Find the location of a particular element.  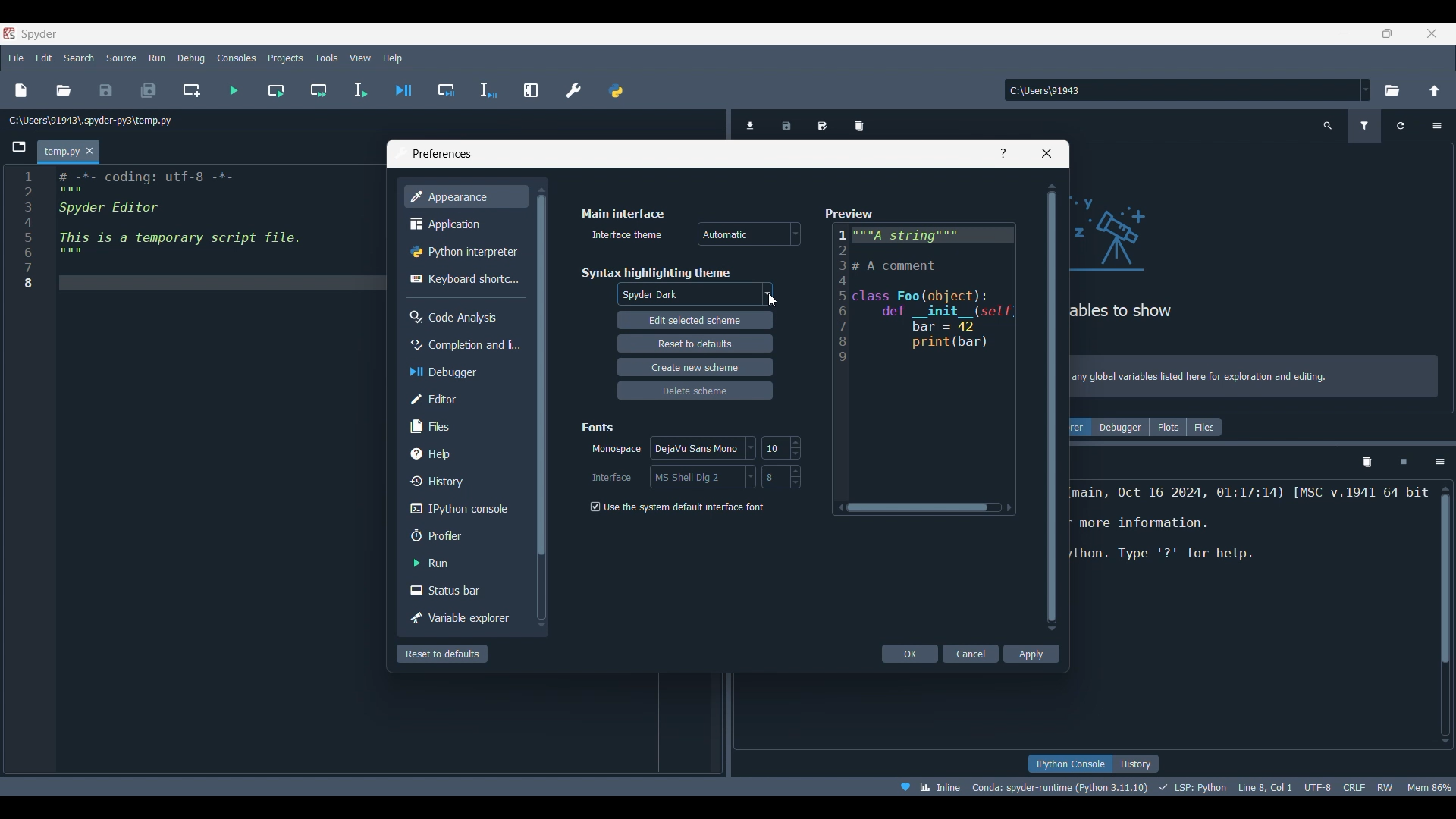

Debug cell is located at coordinates (447, 90).